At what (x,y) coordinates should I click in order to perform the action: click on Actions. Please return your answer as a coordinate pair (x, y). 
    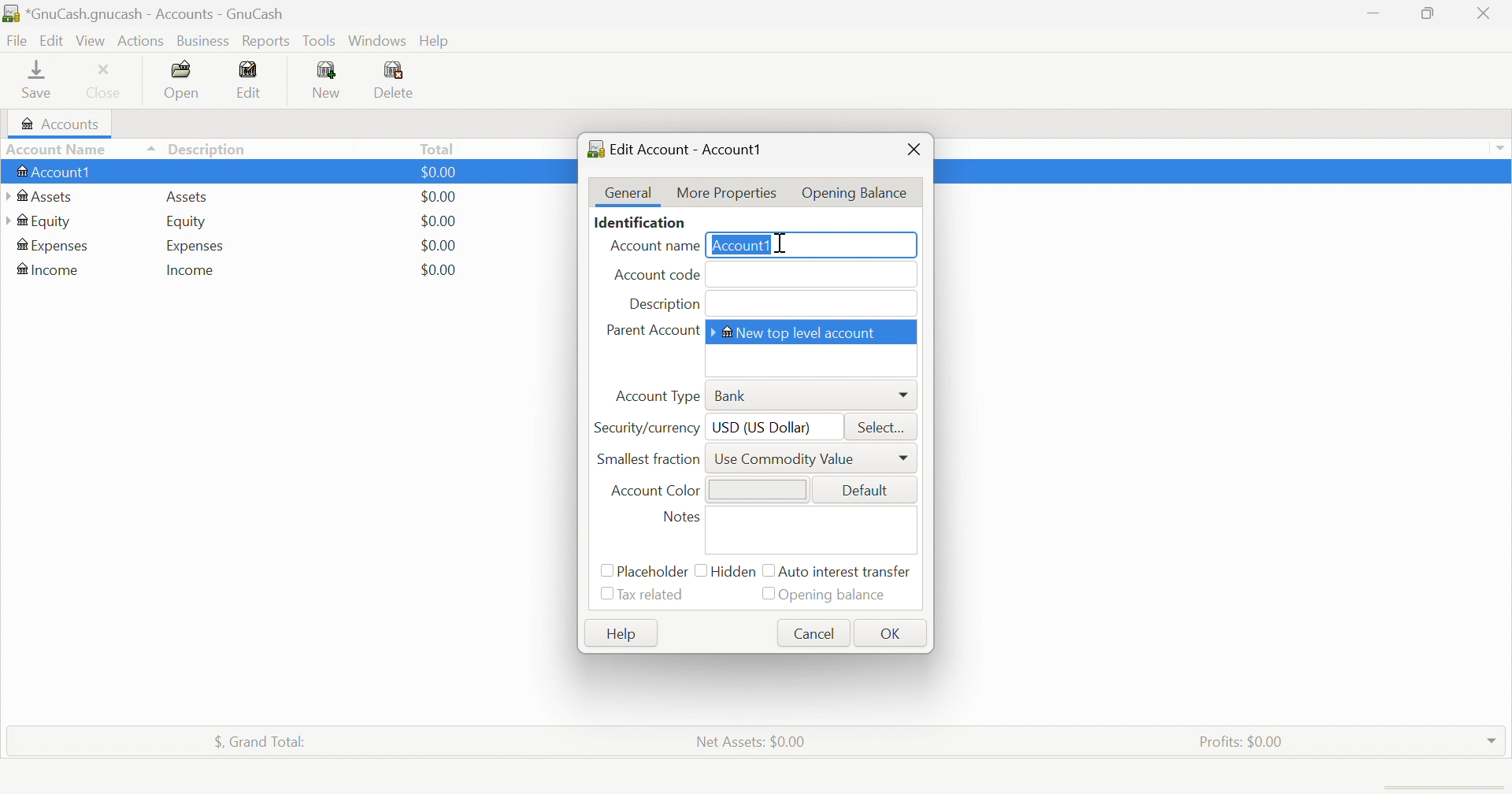
    Looking at the image, I should click on (140, 42).